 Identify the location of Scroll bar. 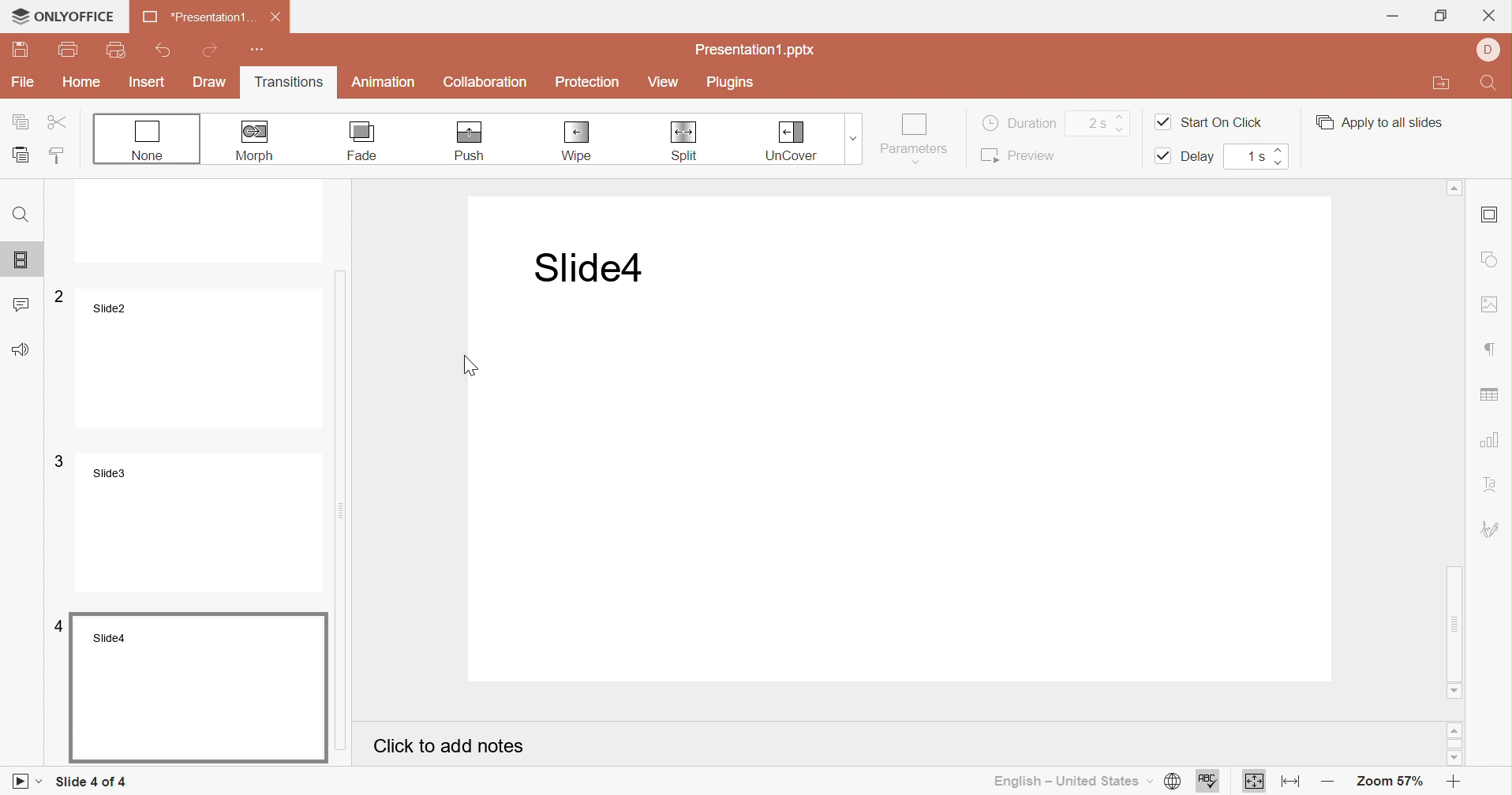
(1456, 743).